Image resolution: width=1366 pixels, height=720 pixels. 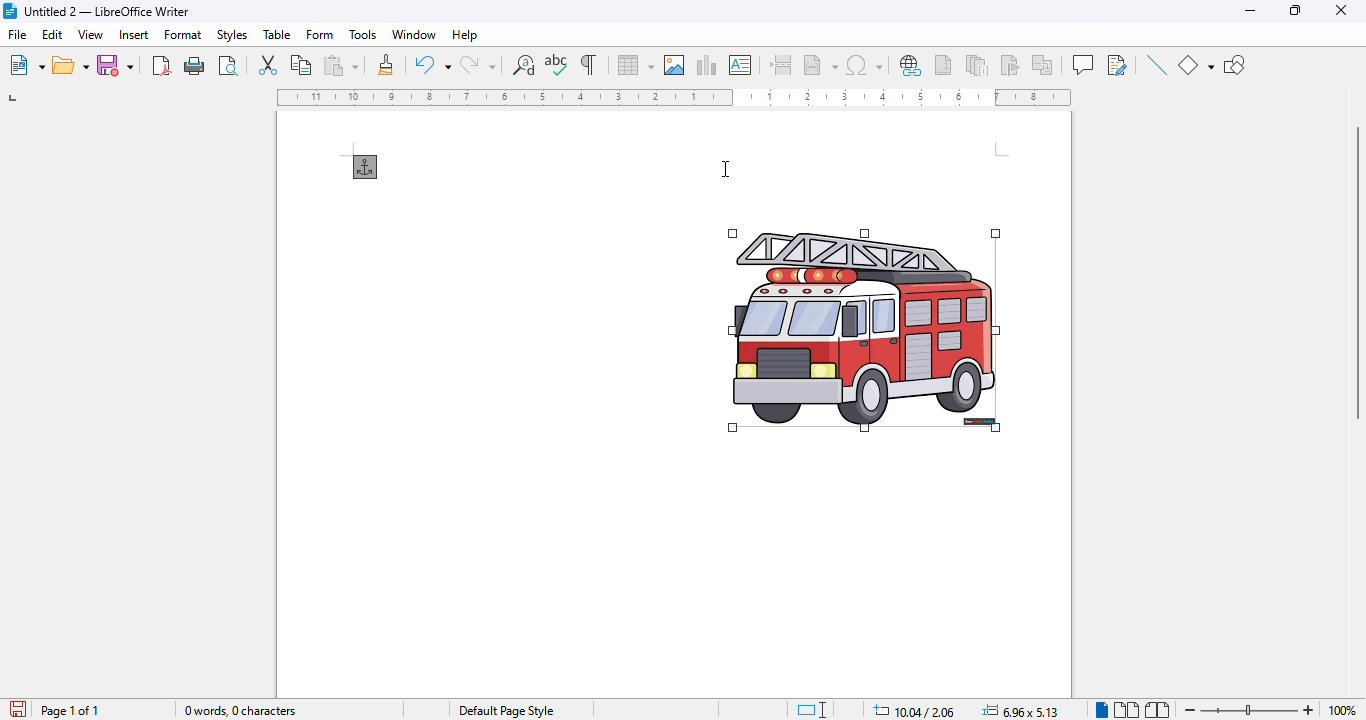 What do you see at coordinates (674, 97) in the screenshot?
I see `ruler` at bounding box center [674, 97].